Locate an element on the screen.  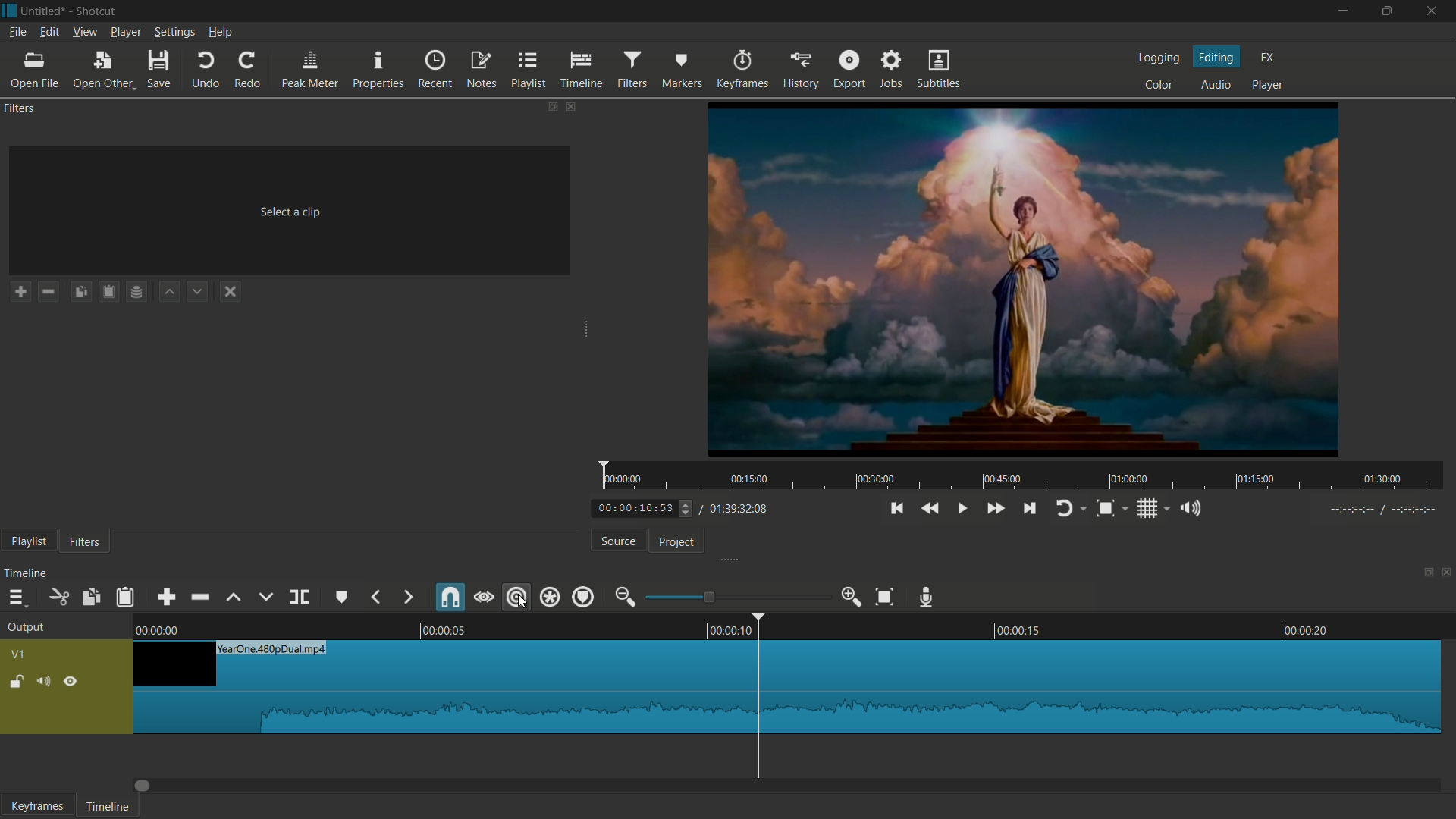
adjustment bar is located at coordinates (738, 596).